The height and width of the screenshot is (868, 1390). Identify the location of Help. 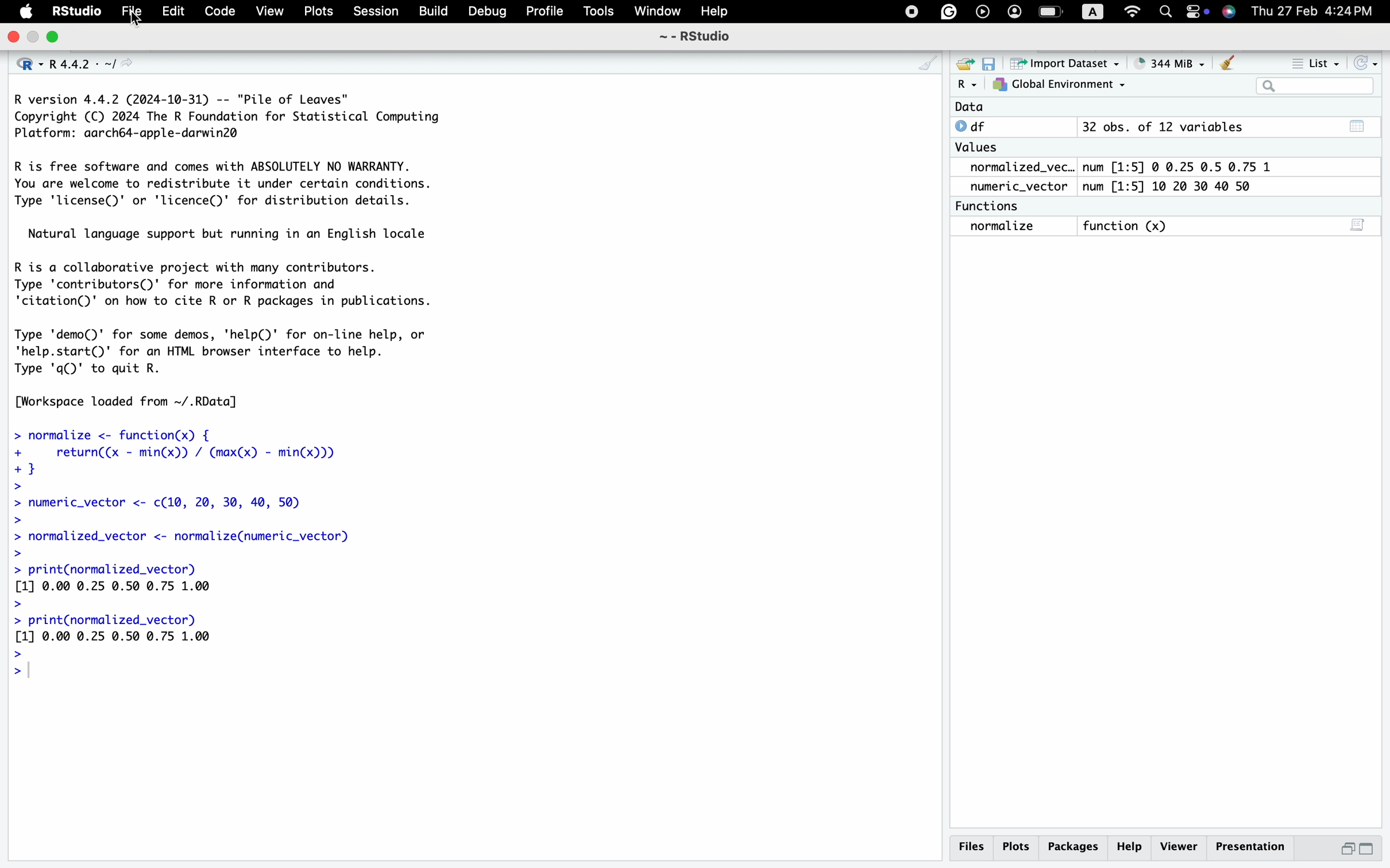
(1129, 847).